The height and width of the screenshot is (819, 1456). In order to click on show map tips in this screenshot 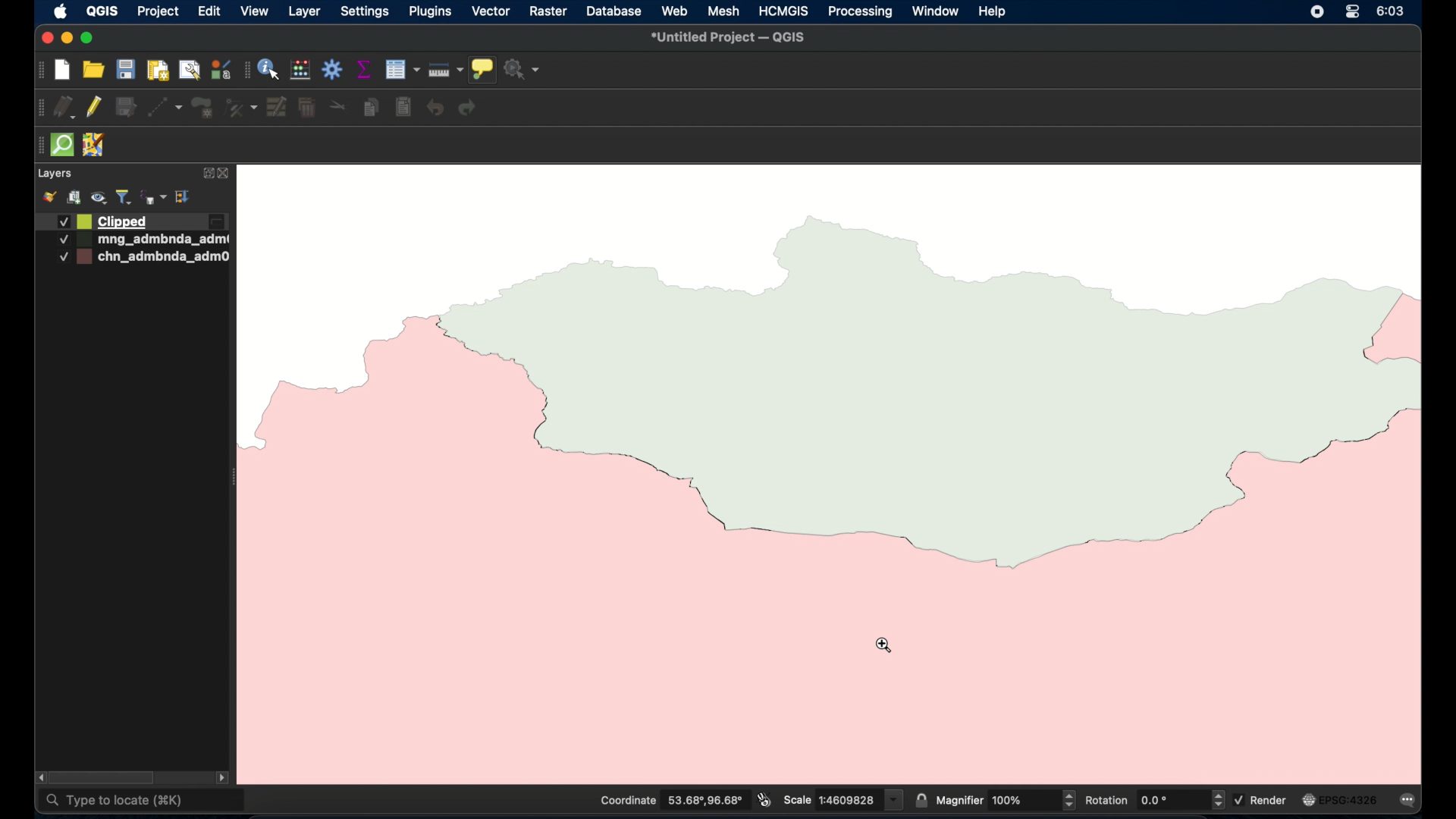, I will do `click(482, 70)`.